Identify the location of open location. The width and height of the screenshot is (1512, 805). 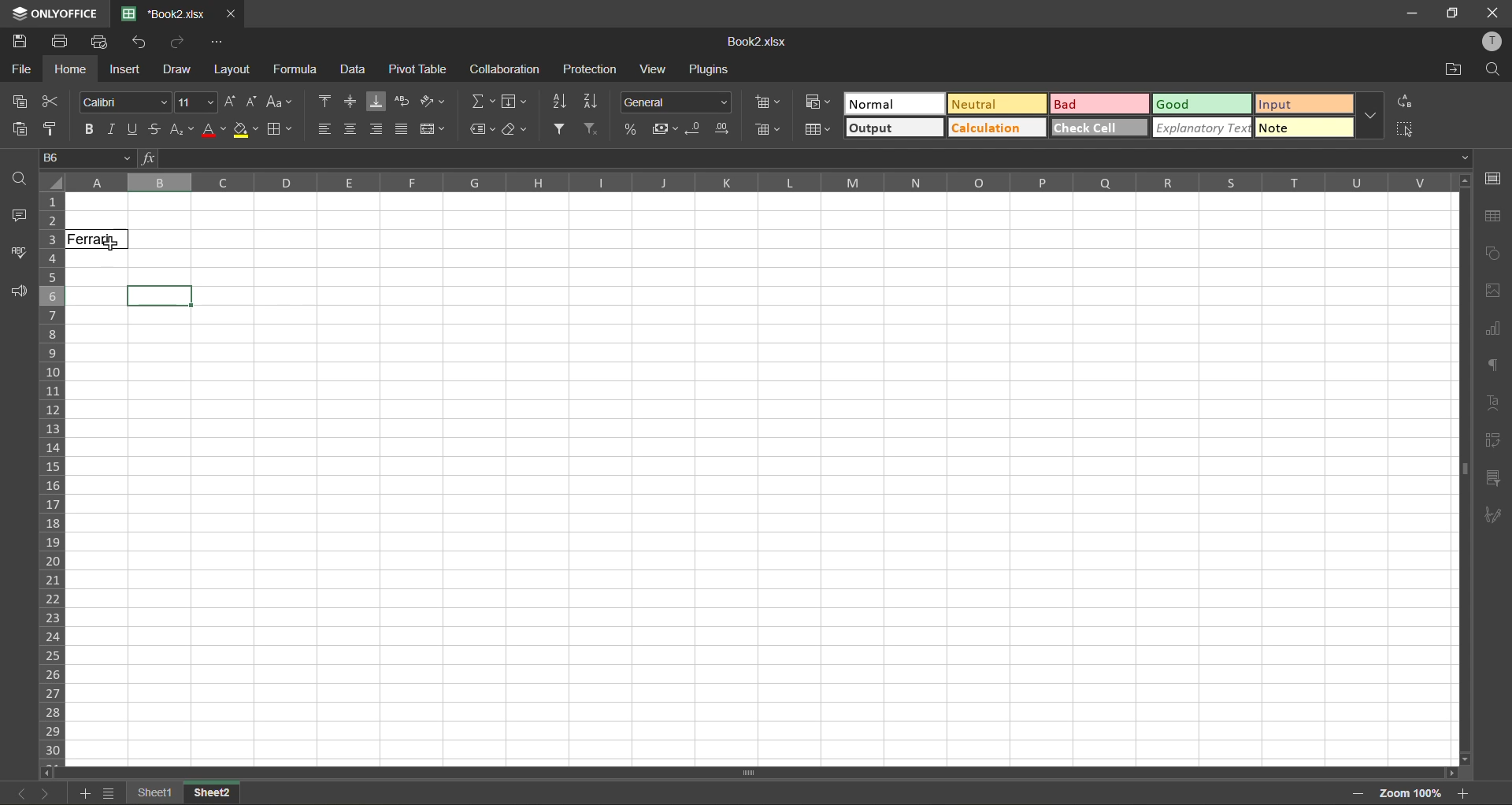
(1455, 71).